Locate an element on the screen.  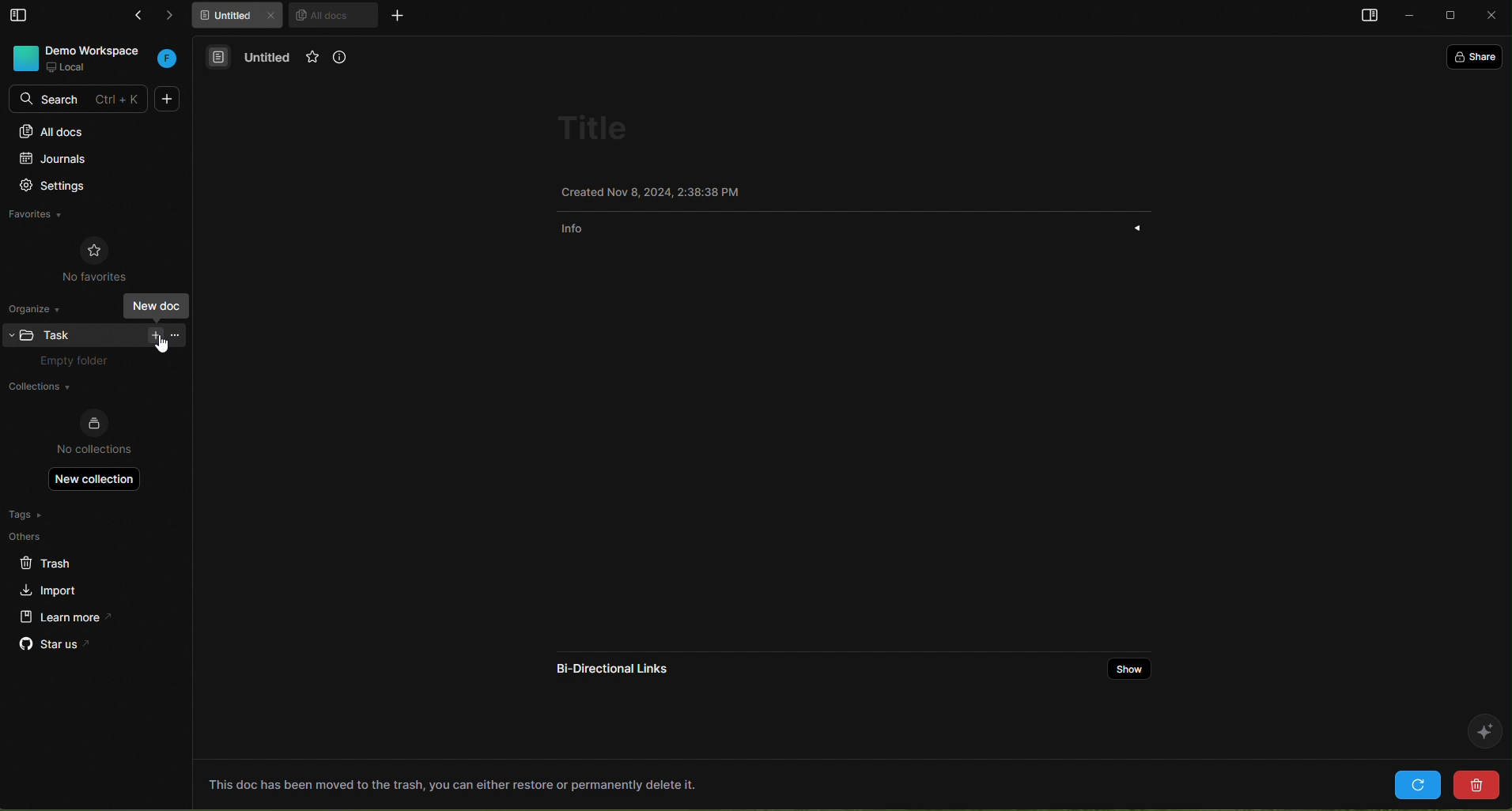
share is located at coordinates (1478, 55).